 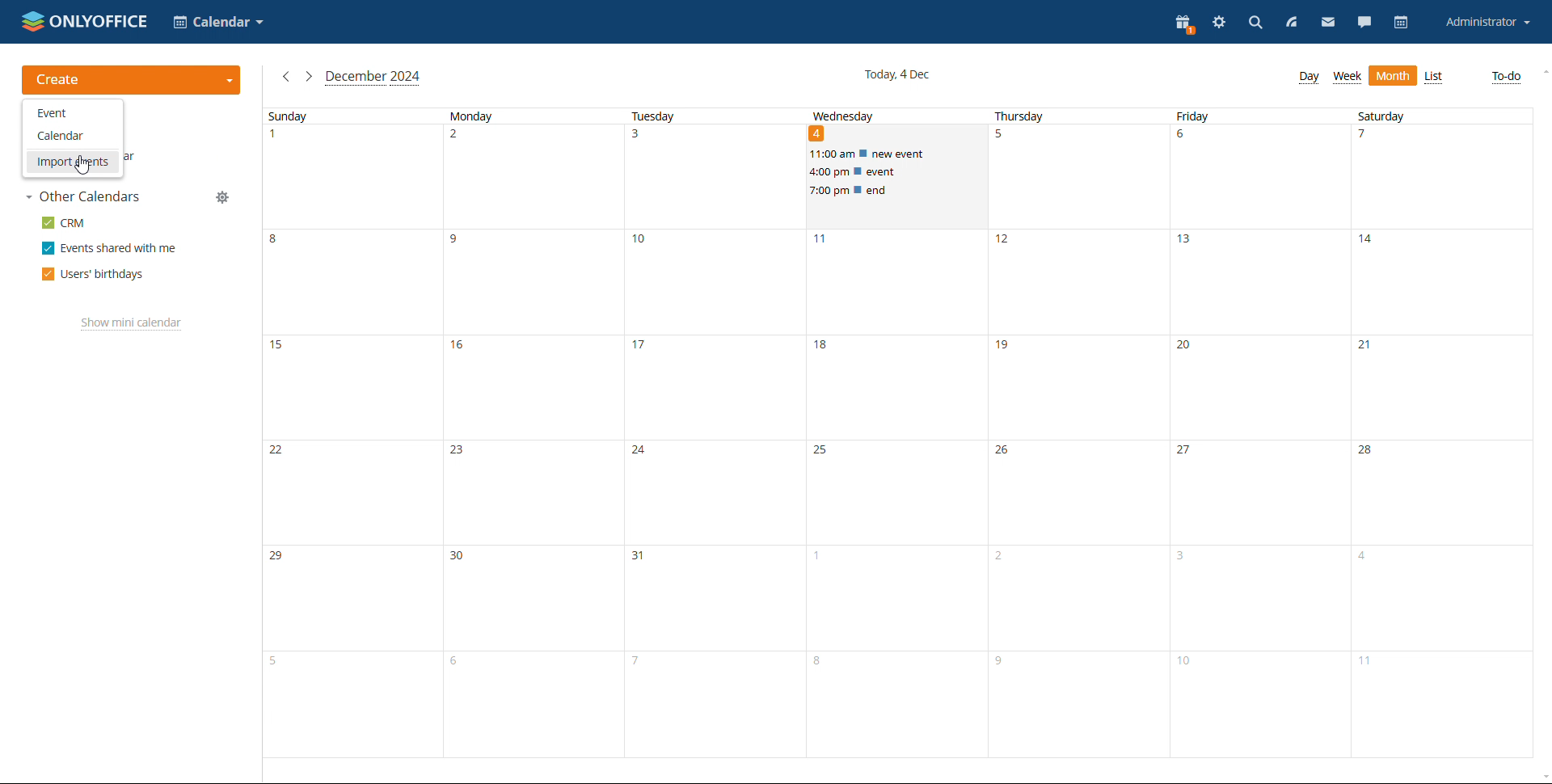 I want to click on list view, so click(x=1435, y=78).